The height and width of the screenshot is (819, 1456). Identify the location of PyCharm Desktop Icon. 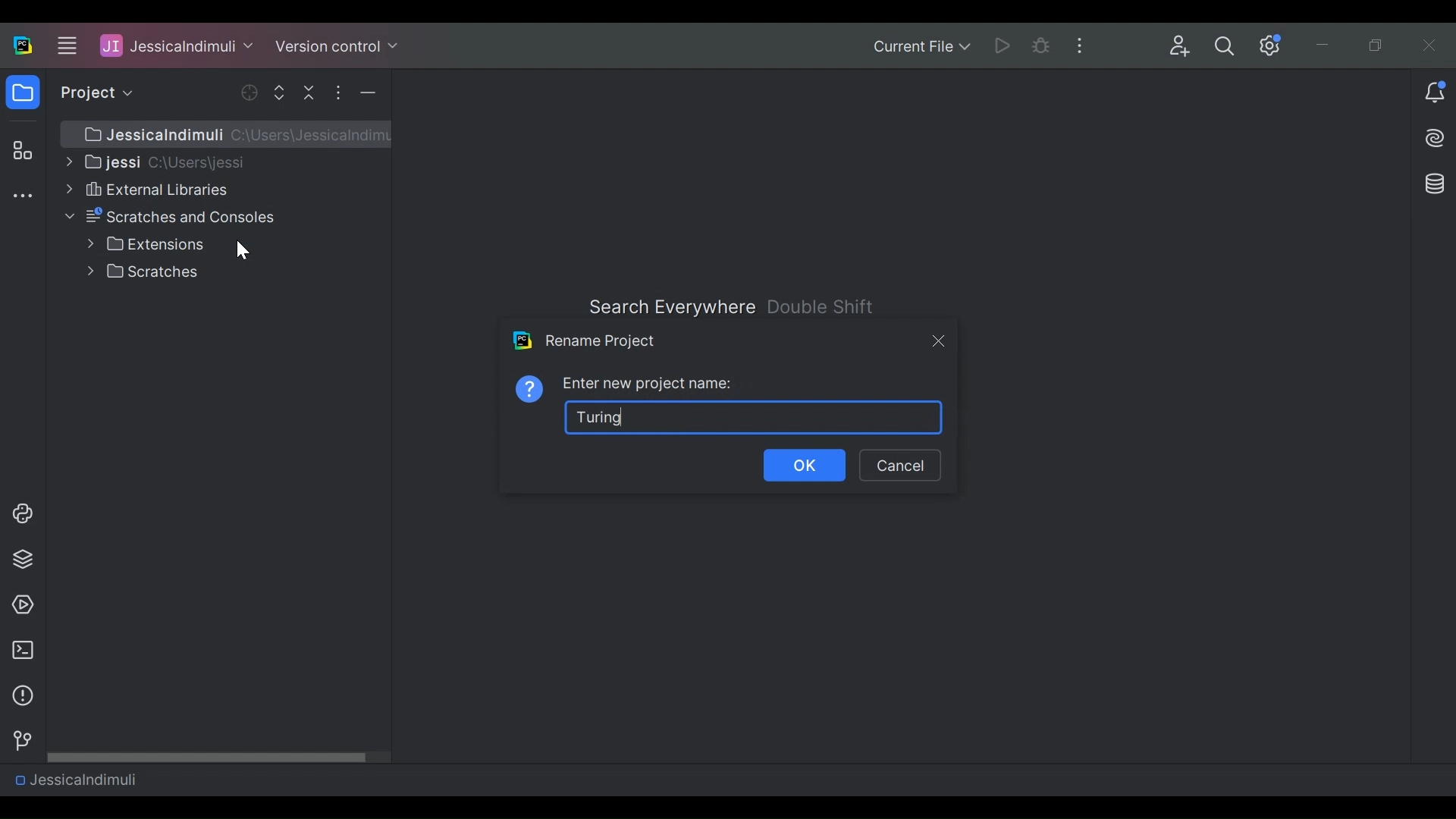
(24, 46).